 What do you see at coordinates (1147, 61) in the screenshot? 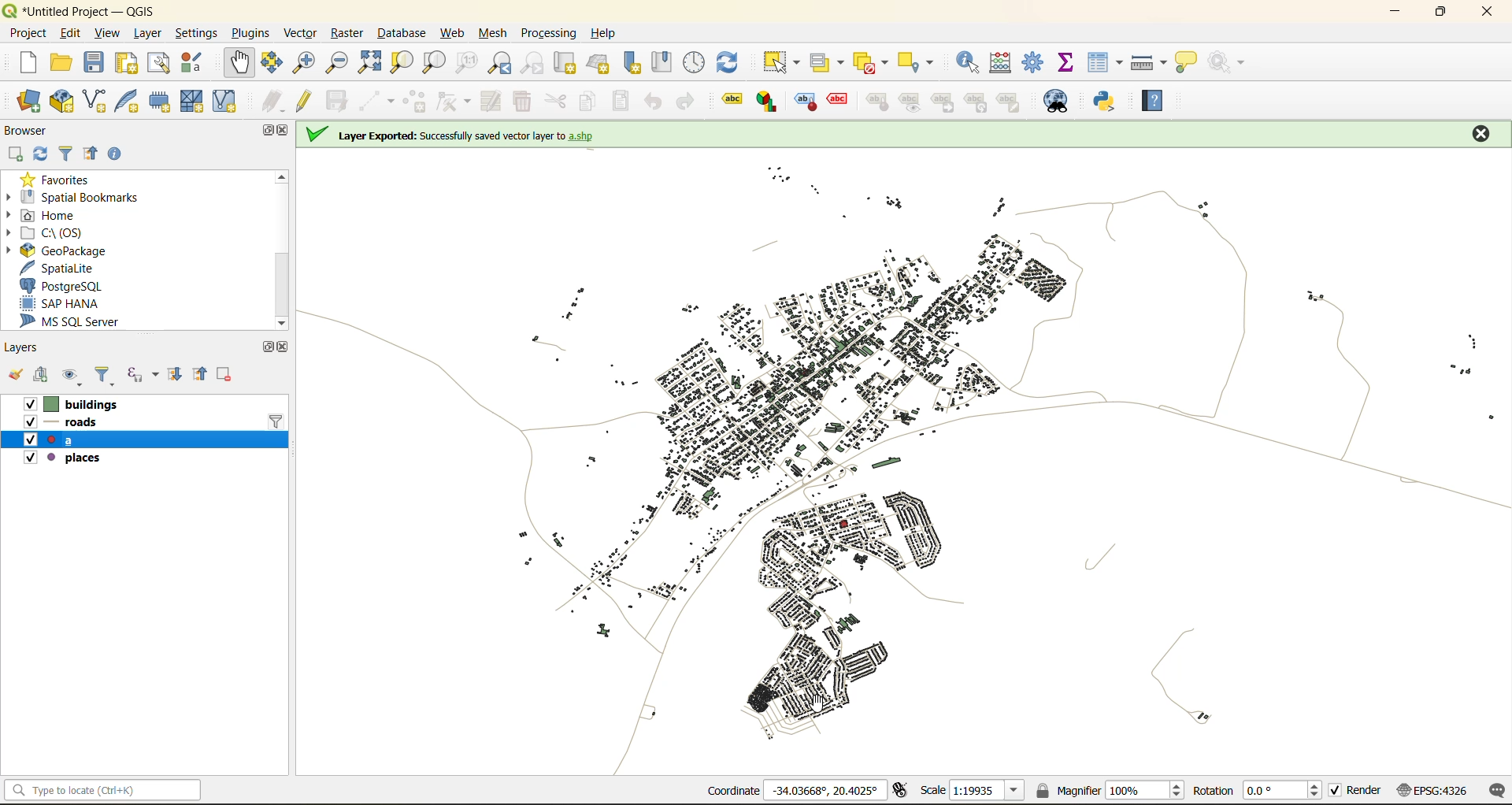
I see `measure line` at bounding box center [1147, 61].